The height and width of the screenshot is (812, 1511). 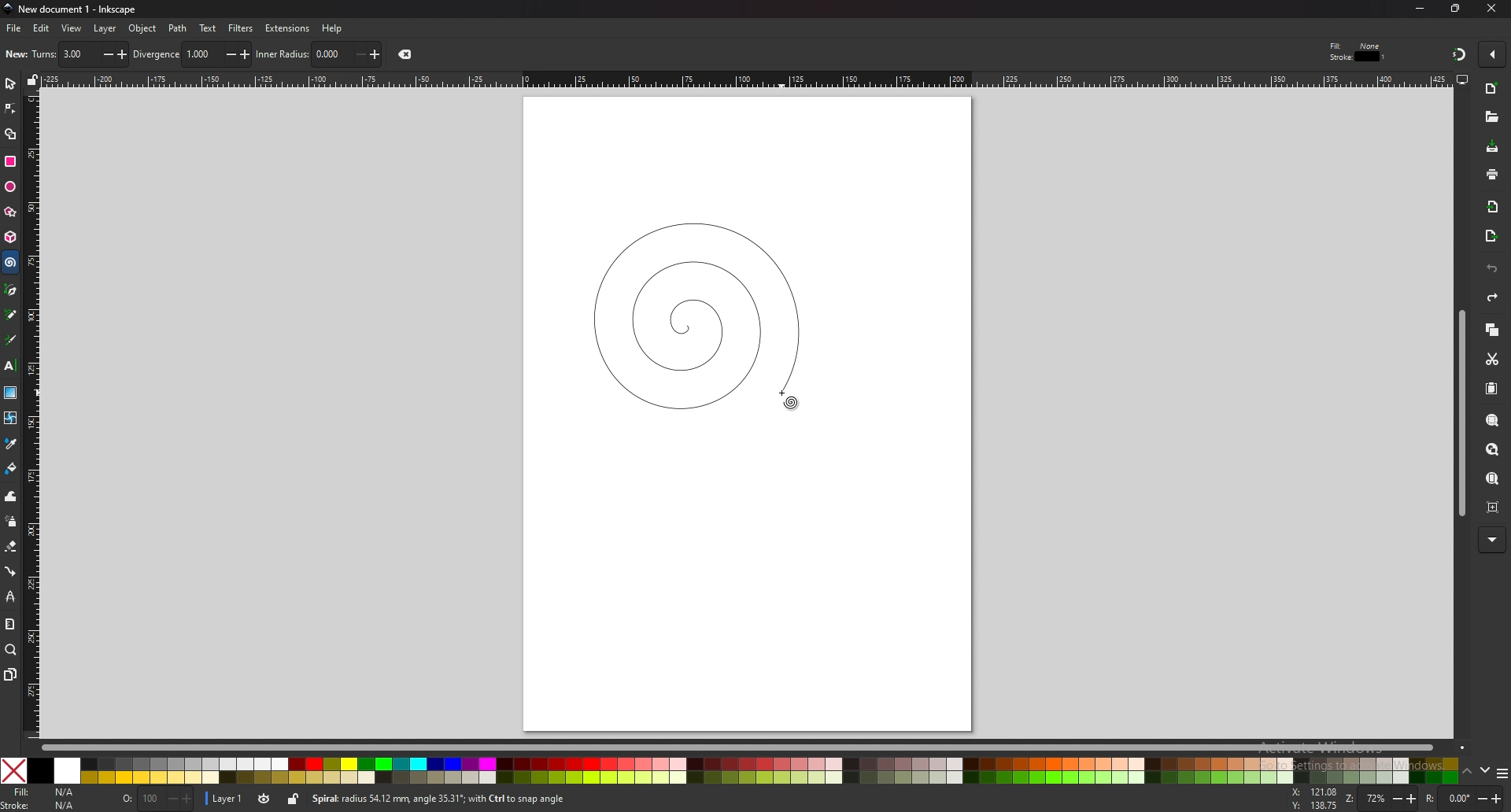 What do you see at coordinates (408, 54) in the screenshot?
I see `close` at bounding box center [408, 54].